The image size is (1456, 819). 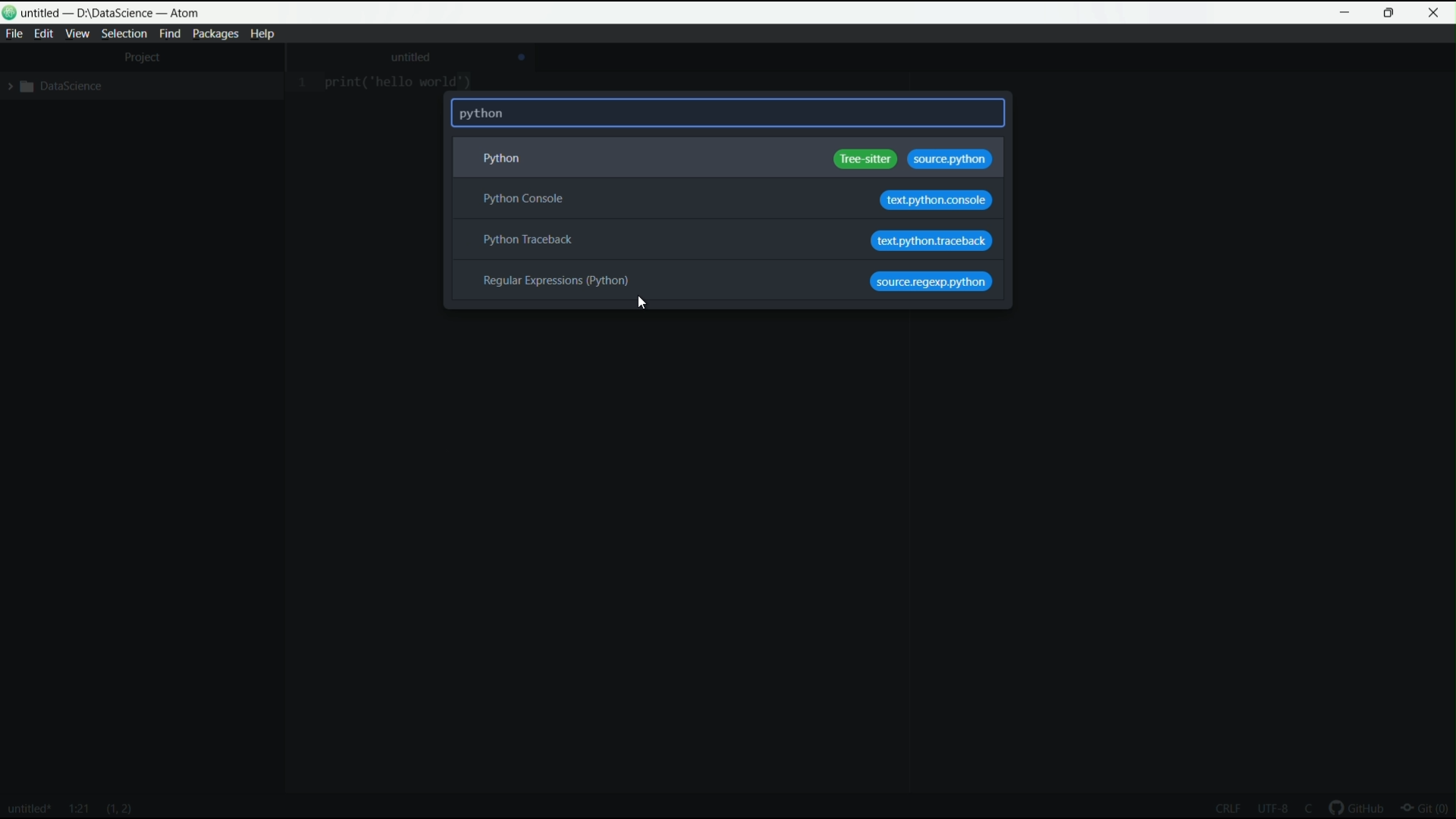 What do you see at coordinates (215, 33) in the screenshot?
I see `packages menu` at bounding box center [215, 33].